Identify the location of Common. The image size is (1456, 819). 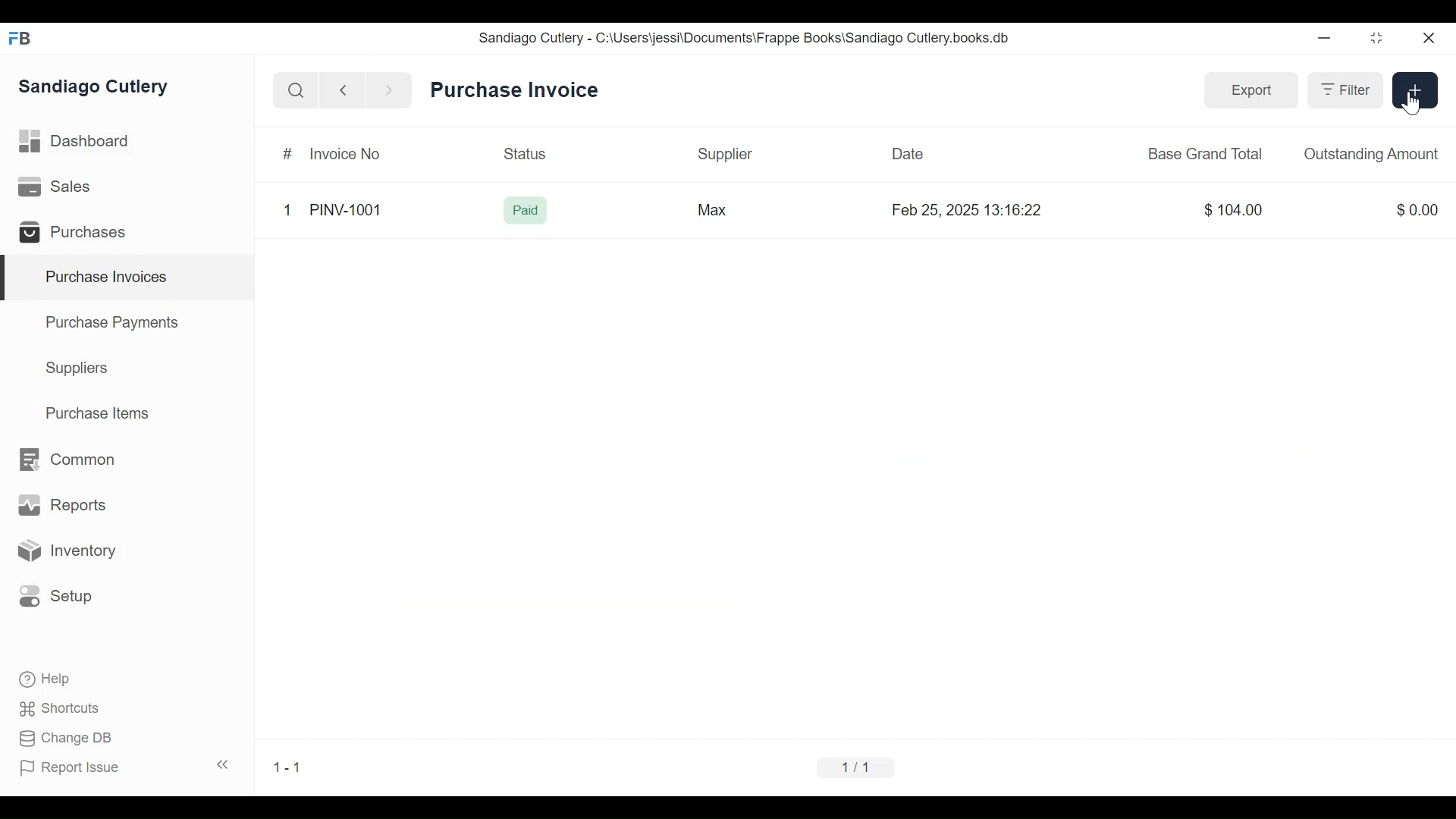
(65, 460).